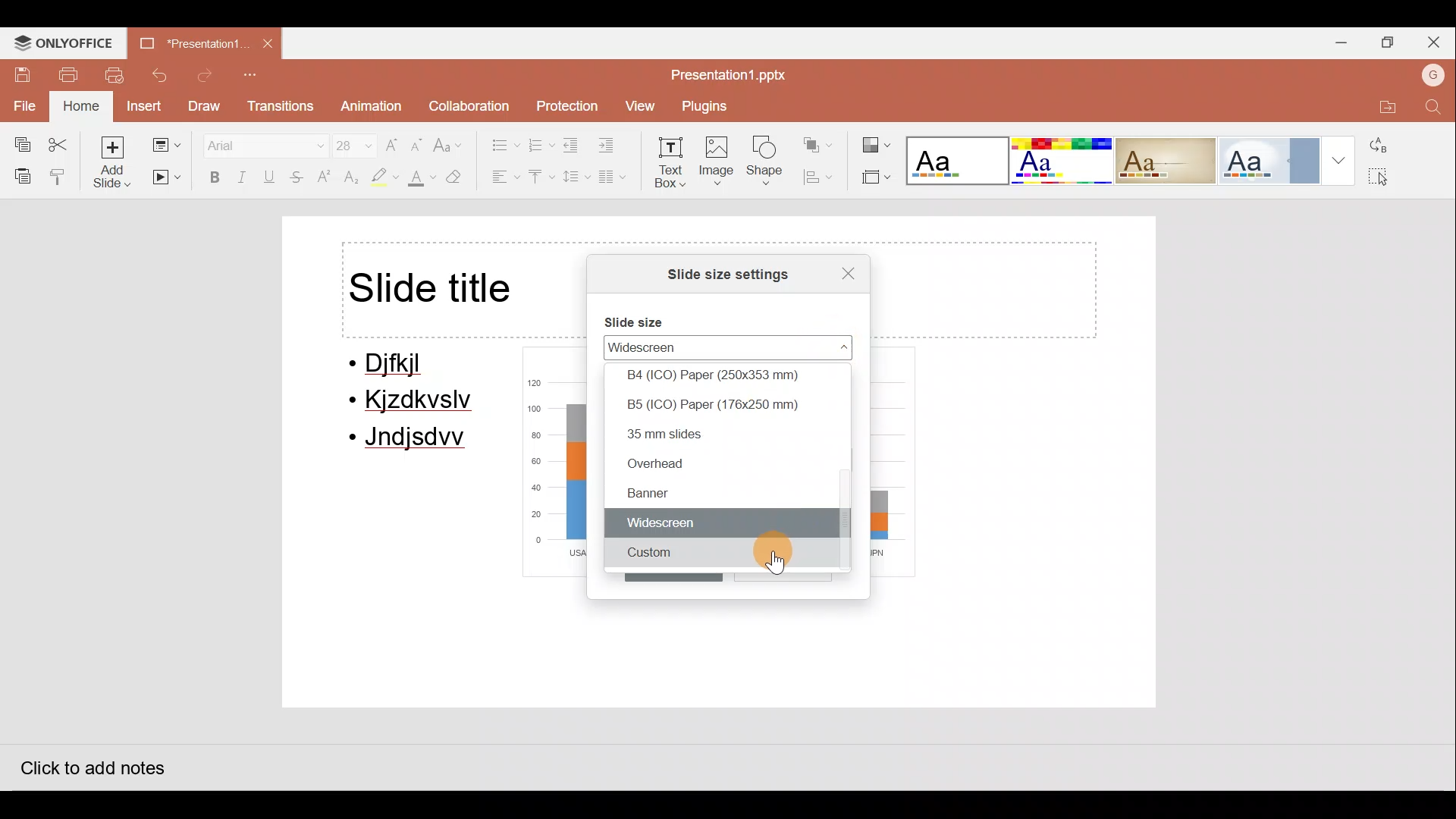  Describe the element at coordinates (1278, 158) in the screenshot. I see `Theme 4` at that location.